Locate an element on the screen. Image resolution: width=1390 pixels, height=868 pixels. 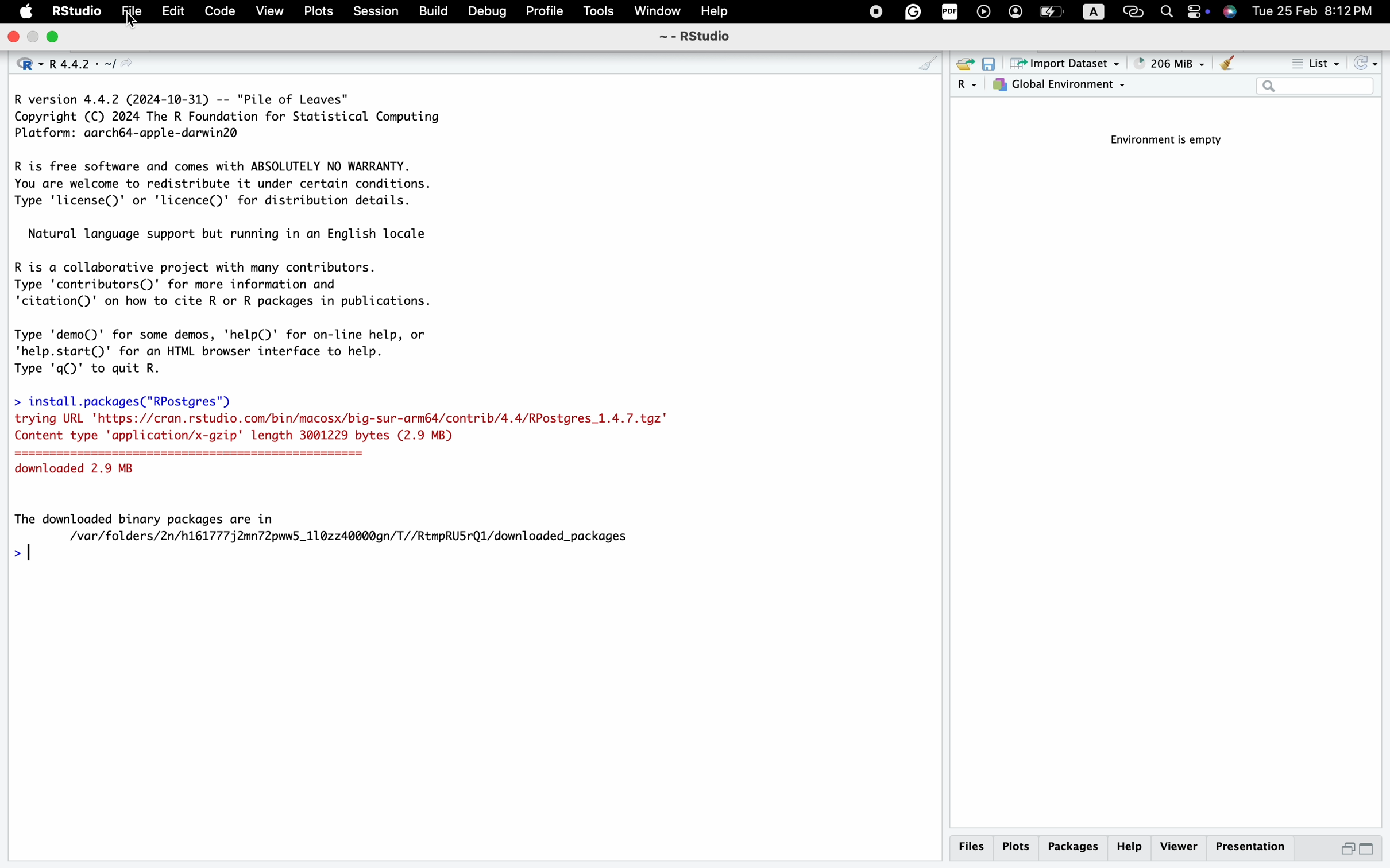
build is located at coordinates (433, 11).